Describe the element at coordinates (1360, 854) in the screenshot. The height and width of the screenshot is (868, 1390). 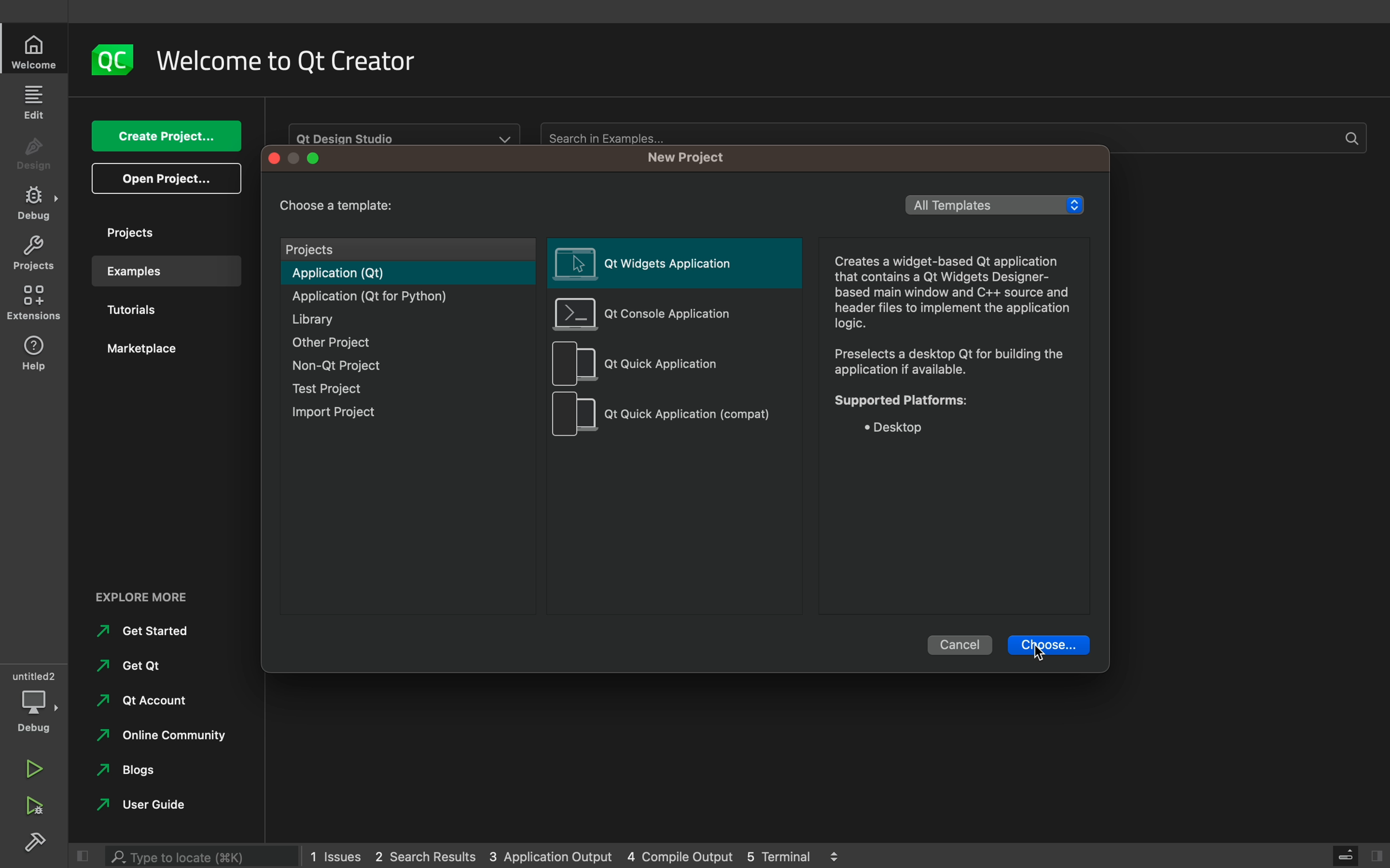
I see `close slidebar` at that location.